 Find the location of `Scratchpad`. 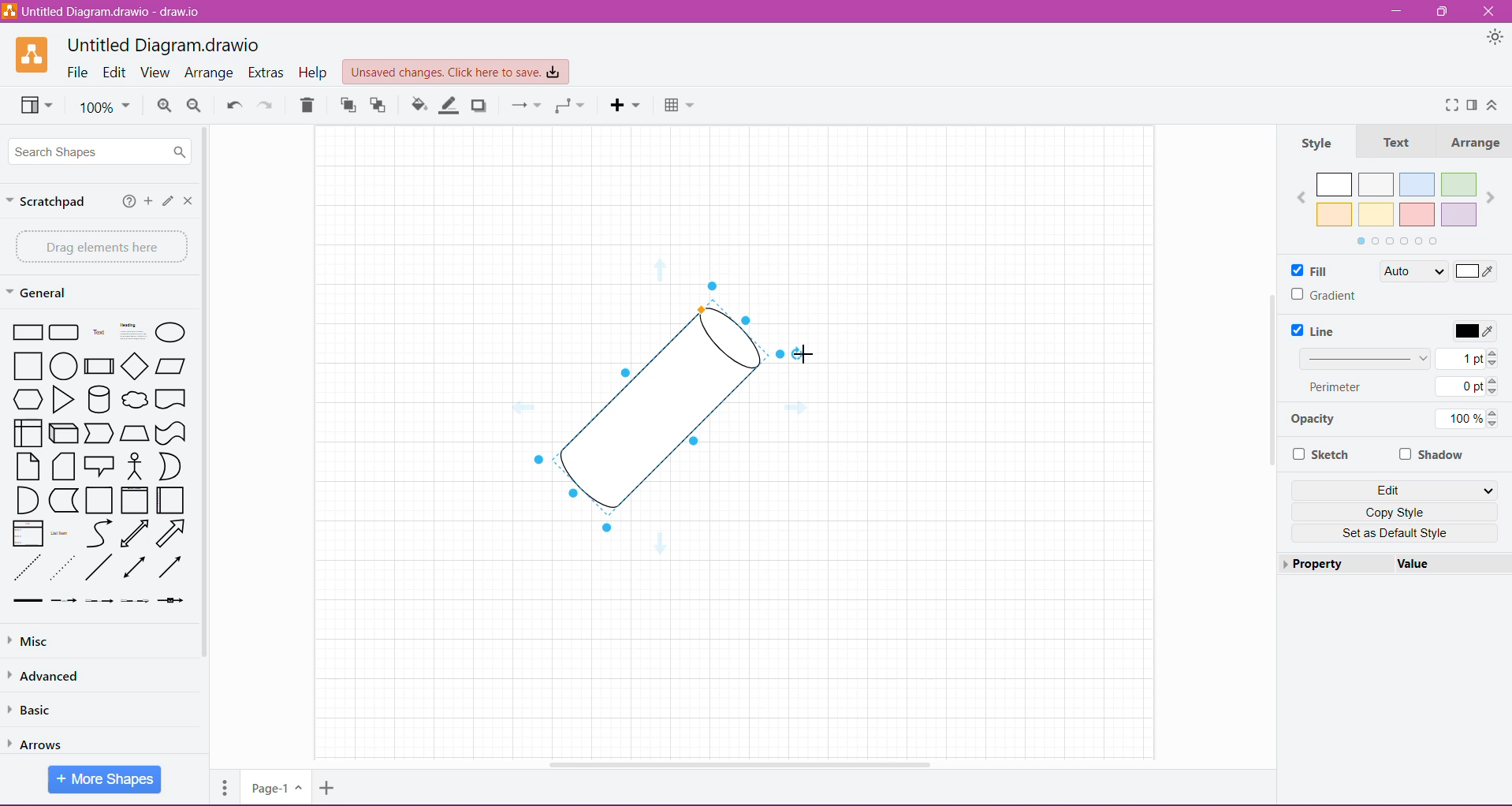

Scratchpad is located at coordinates (50, 203).